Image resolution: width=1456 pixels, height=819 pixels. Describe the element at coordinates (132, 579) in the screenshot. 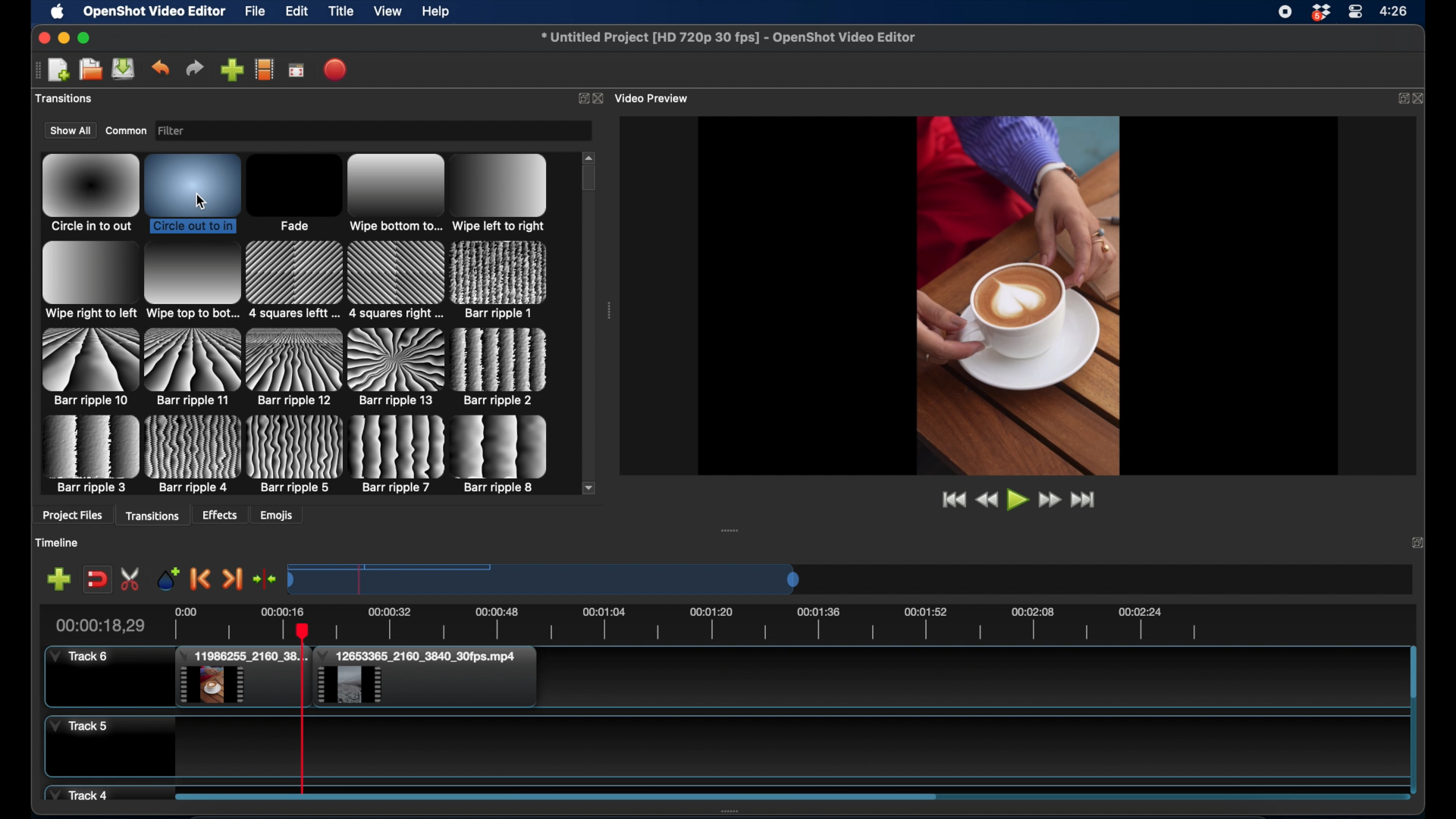

I see `enable razor` at that location.